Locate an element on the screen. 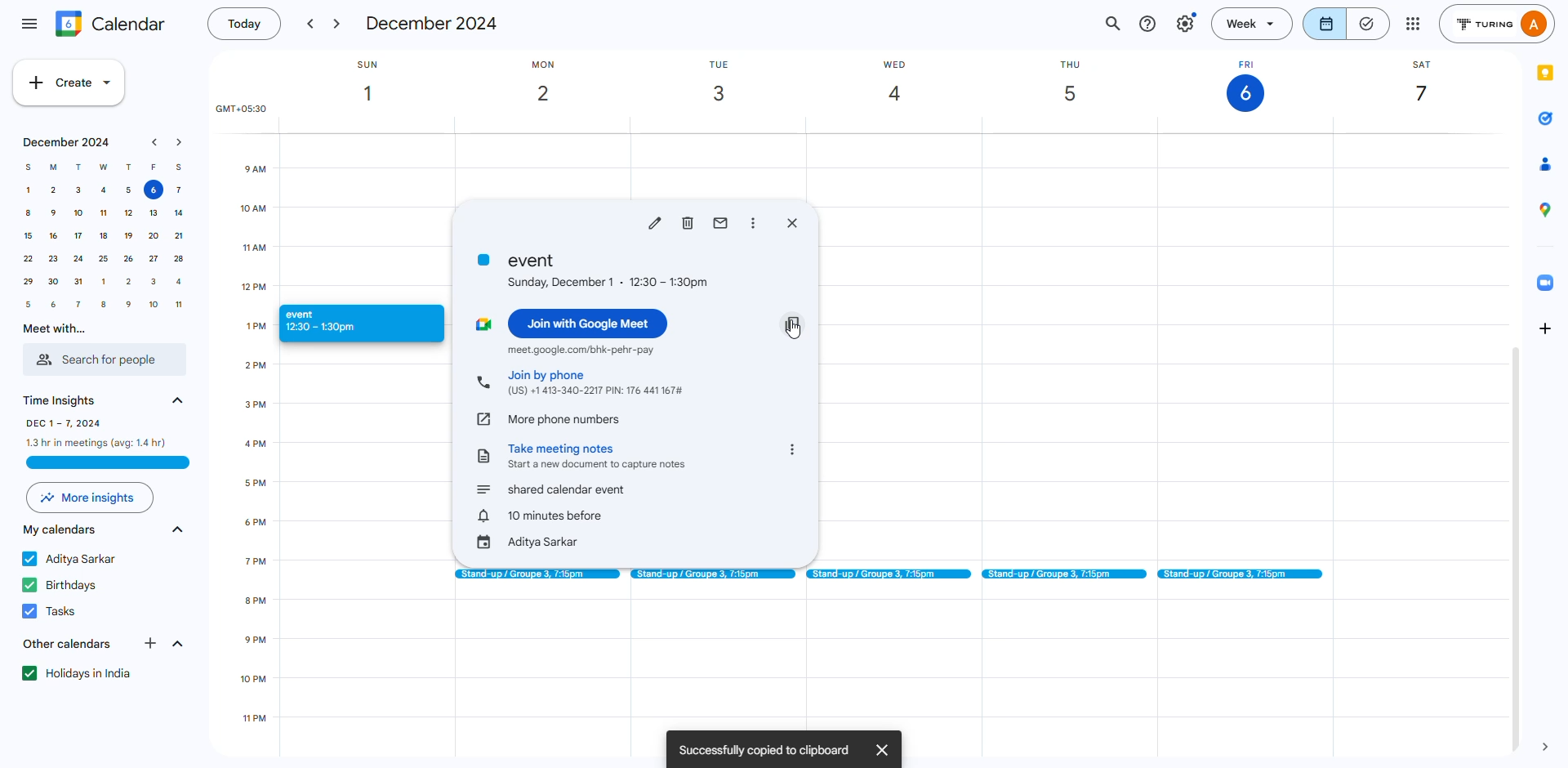  17 is located at coordinates (77, 237).